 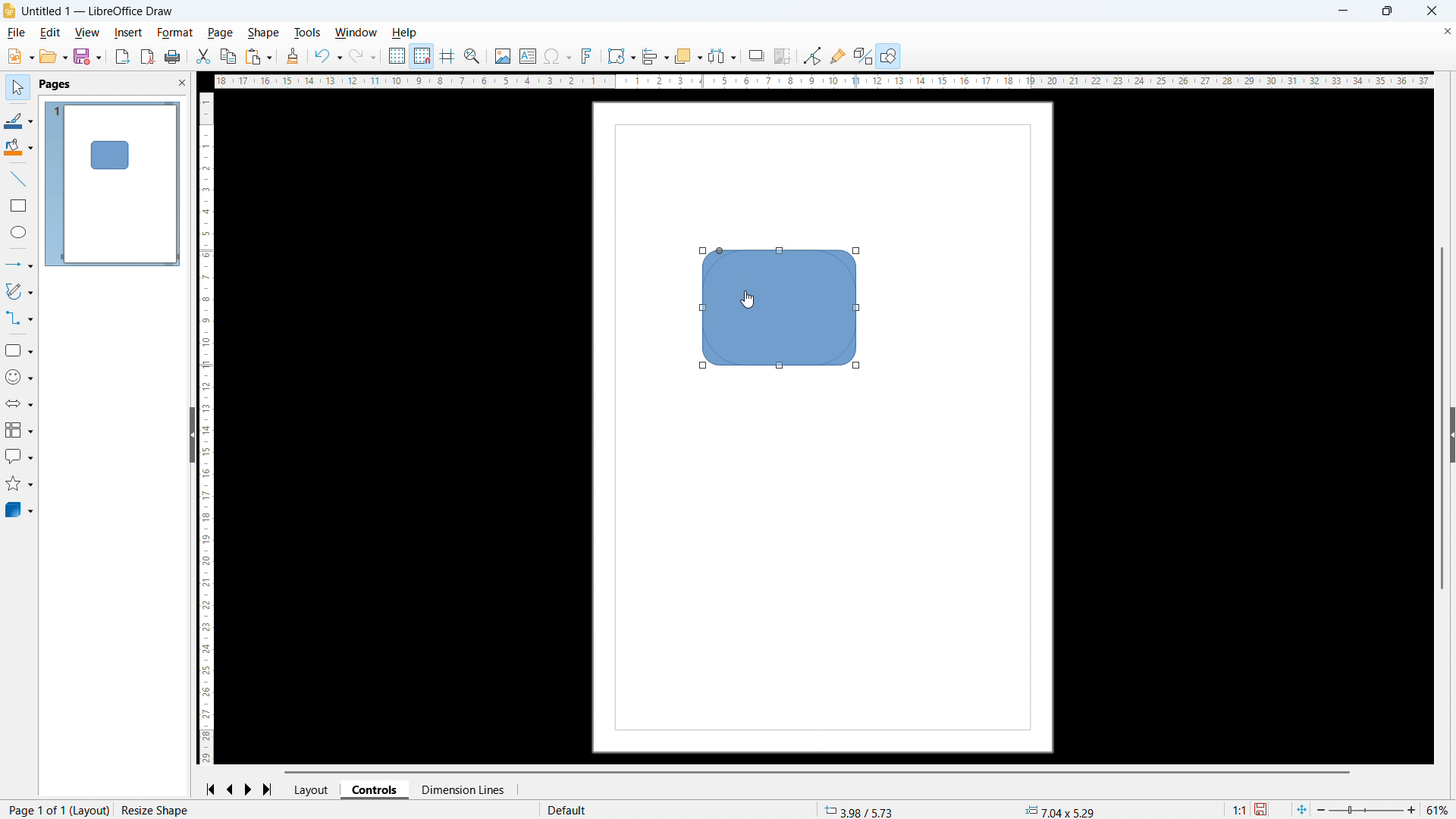 What do you see at coordinates (813, 55) in the screenshot?
I see `toggle point edit mode` at bounding box center [813, 55].